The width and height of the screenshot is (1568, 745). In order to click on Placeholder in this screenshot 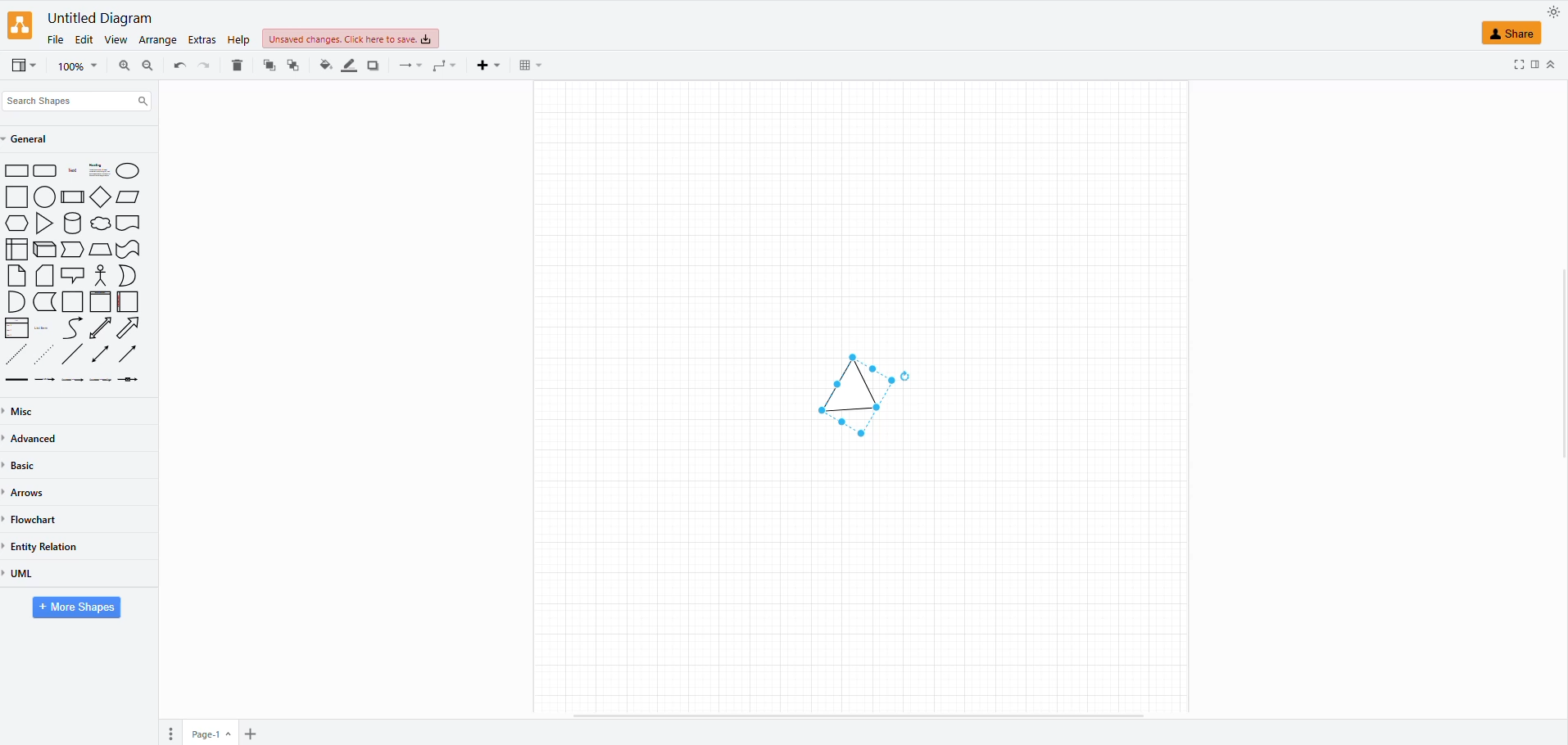, I will do `click(43, 328)`.